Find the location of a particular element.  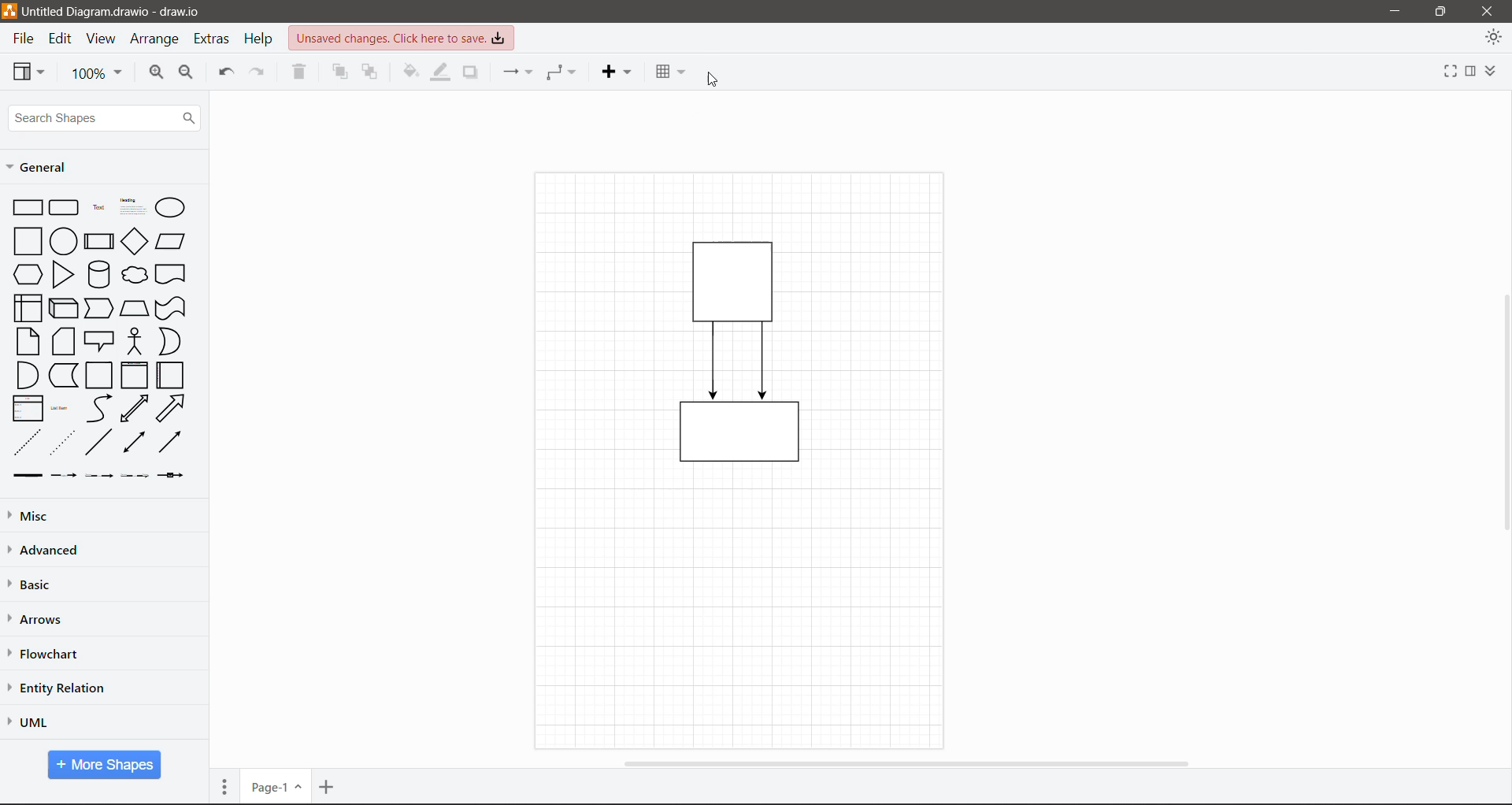

connector with symbol is located at coordinates (175, 475).